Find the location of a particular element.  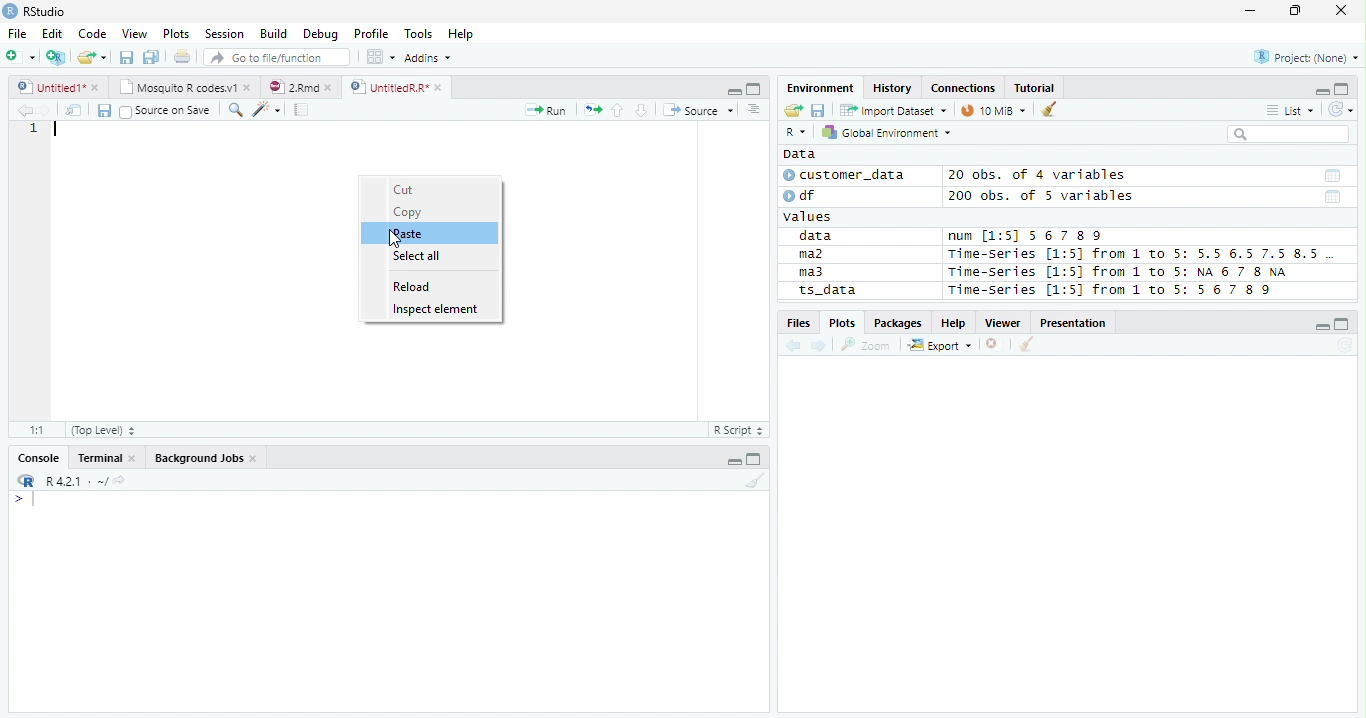

Date is located at coordinates (1331, 176).